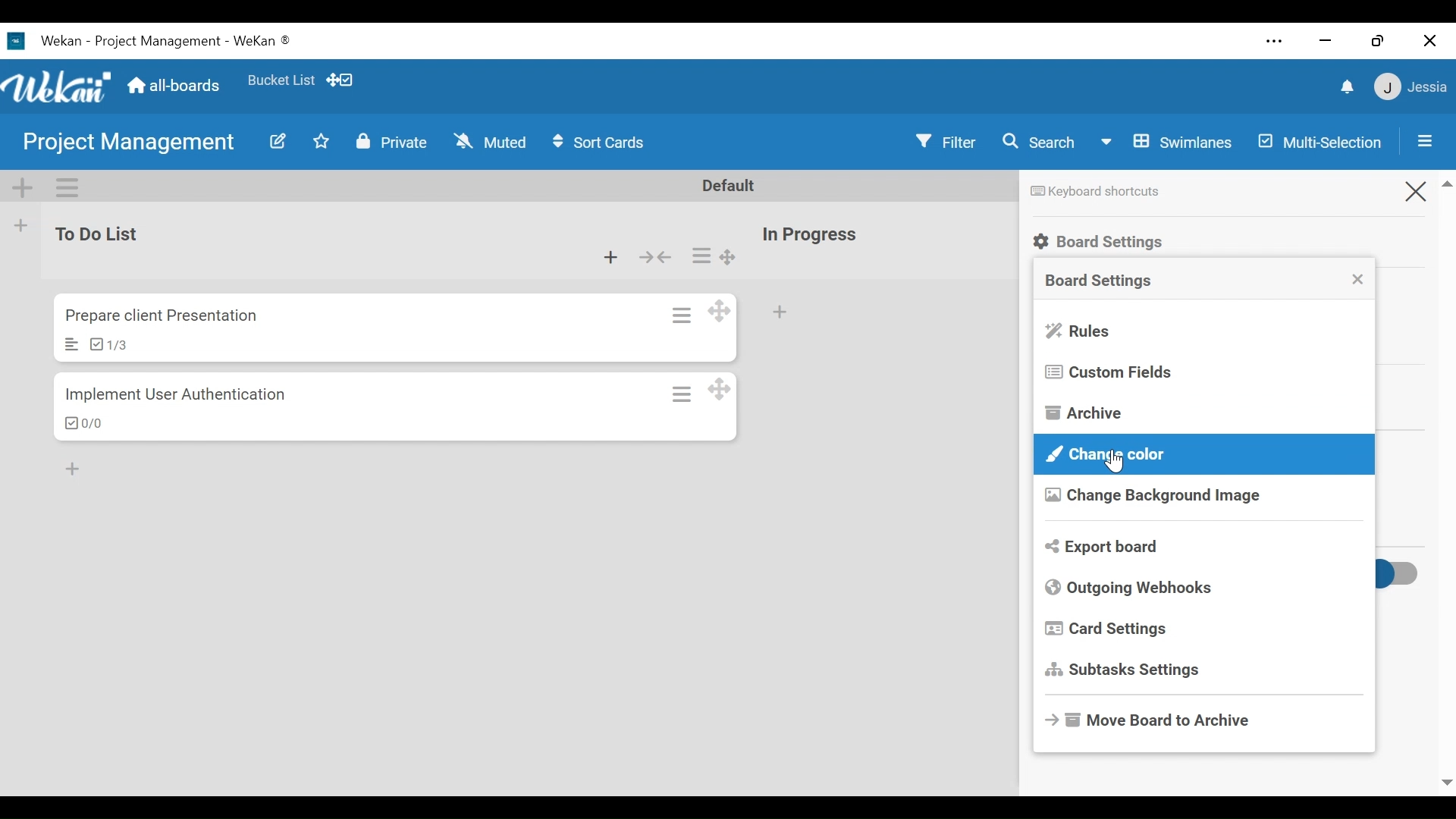 This screenshot has width=1456, height=819. Describe the element at coordinates (946, 142) in the screenshot. I see `Filter` at that location.